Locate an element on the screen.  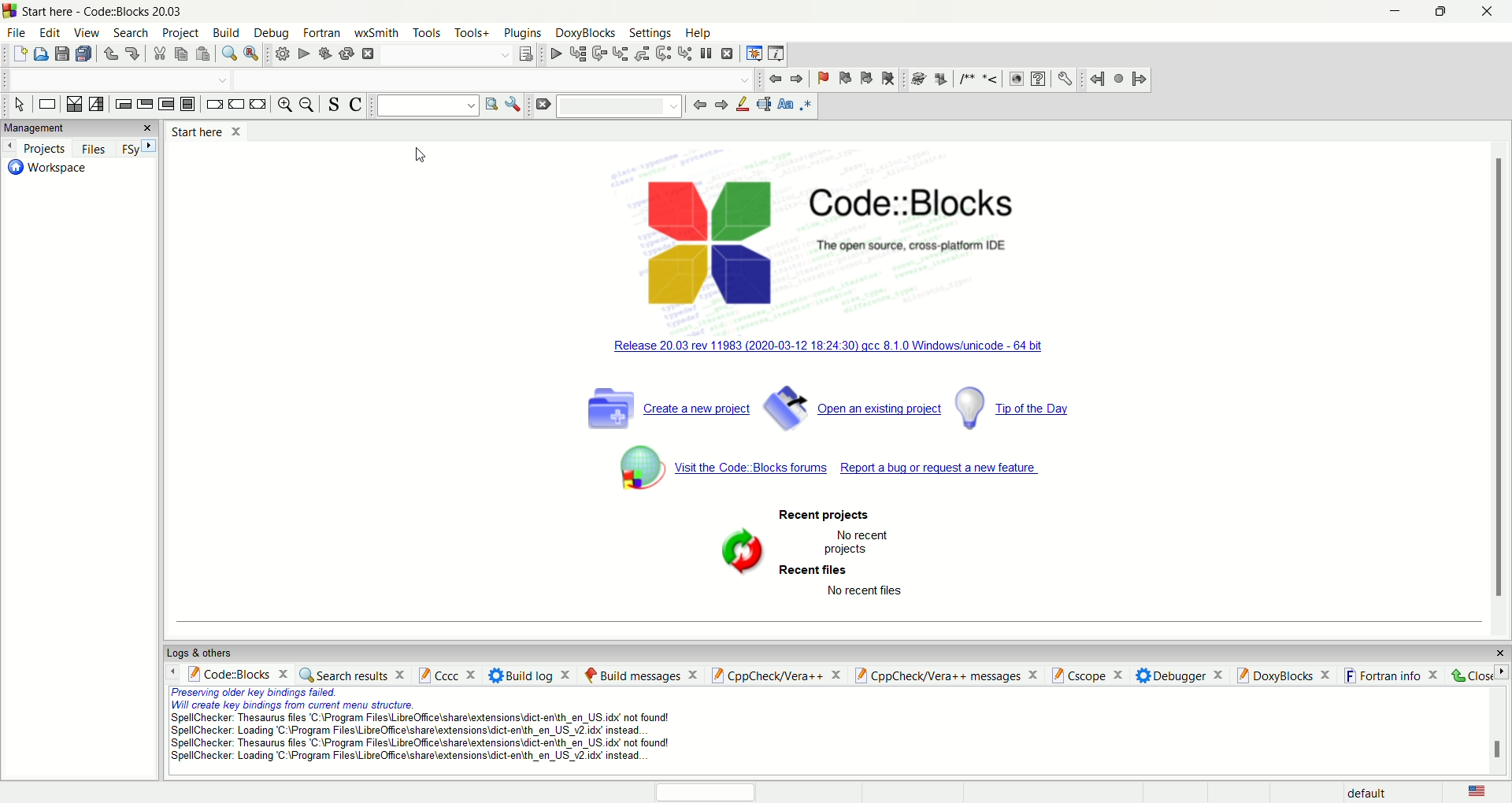
build messages is located at coordinates (640, 674).